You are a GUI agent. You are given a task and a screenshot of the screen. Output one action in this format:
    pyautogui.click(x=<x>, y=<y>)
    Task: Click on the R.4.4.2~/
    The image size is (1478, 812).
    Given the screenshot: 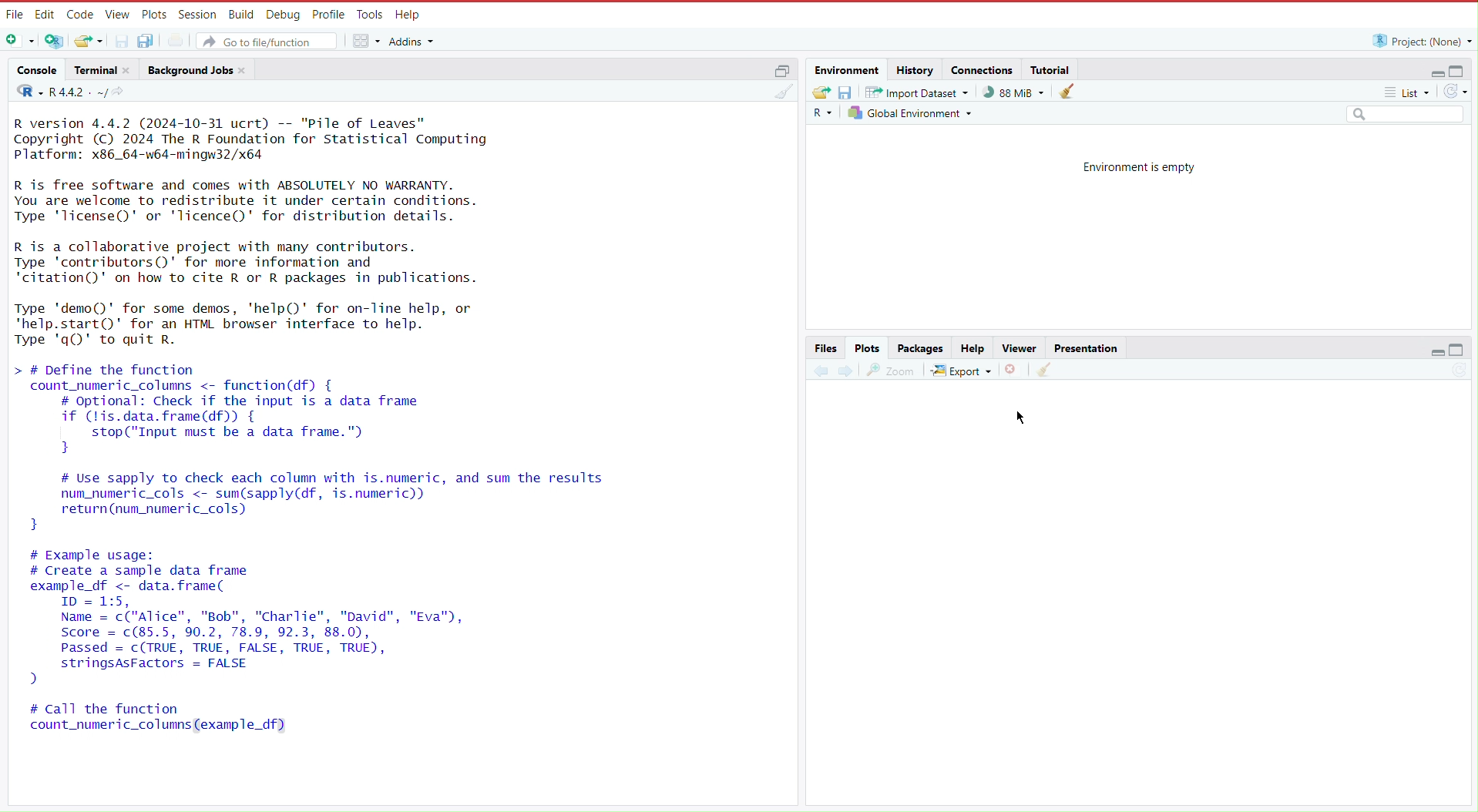 What is the action you would take?
    pyautogui.click(x=79, y=92)
    